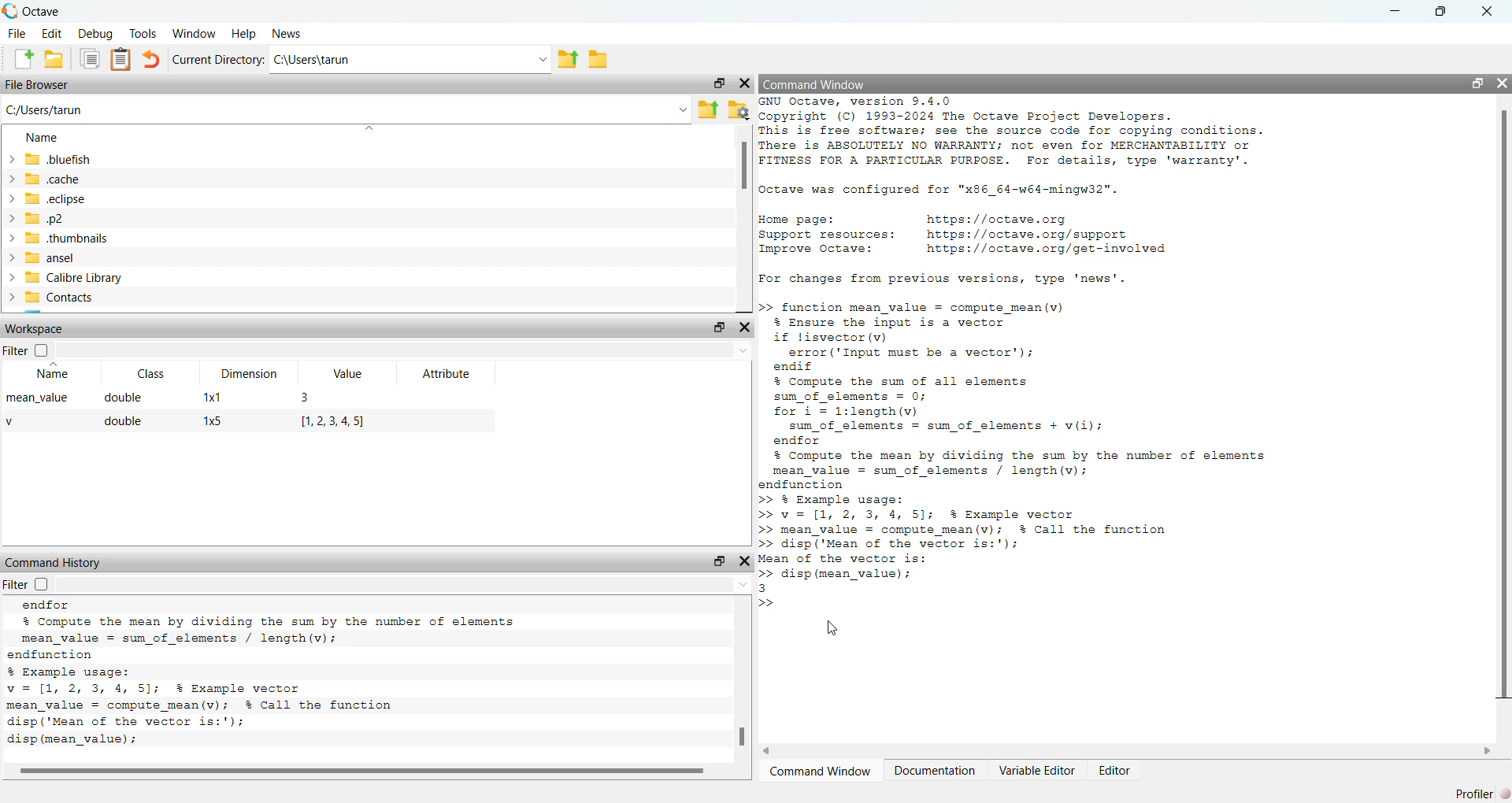 The image size is (1512, 803). Describe the element at coordinates (1440, 13) in the screenshot. I see `maximise` at that location.